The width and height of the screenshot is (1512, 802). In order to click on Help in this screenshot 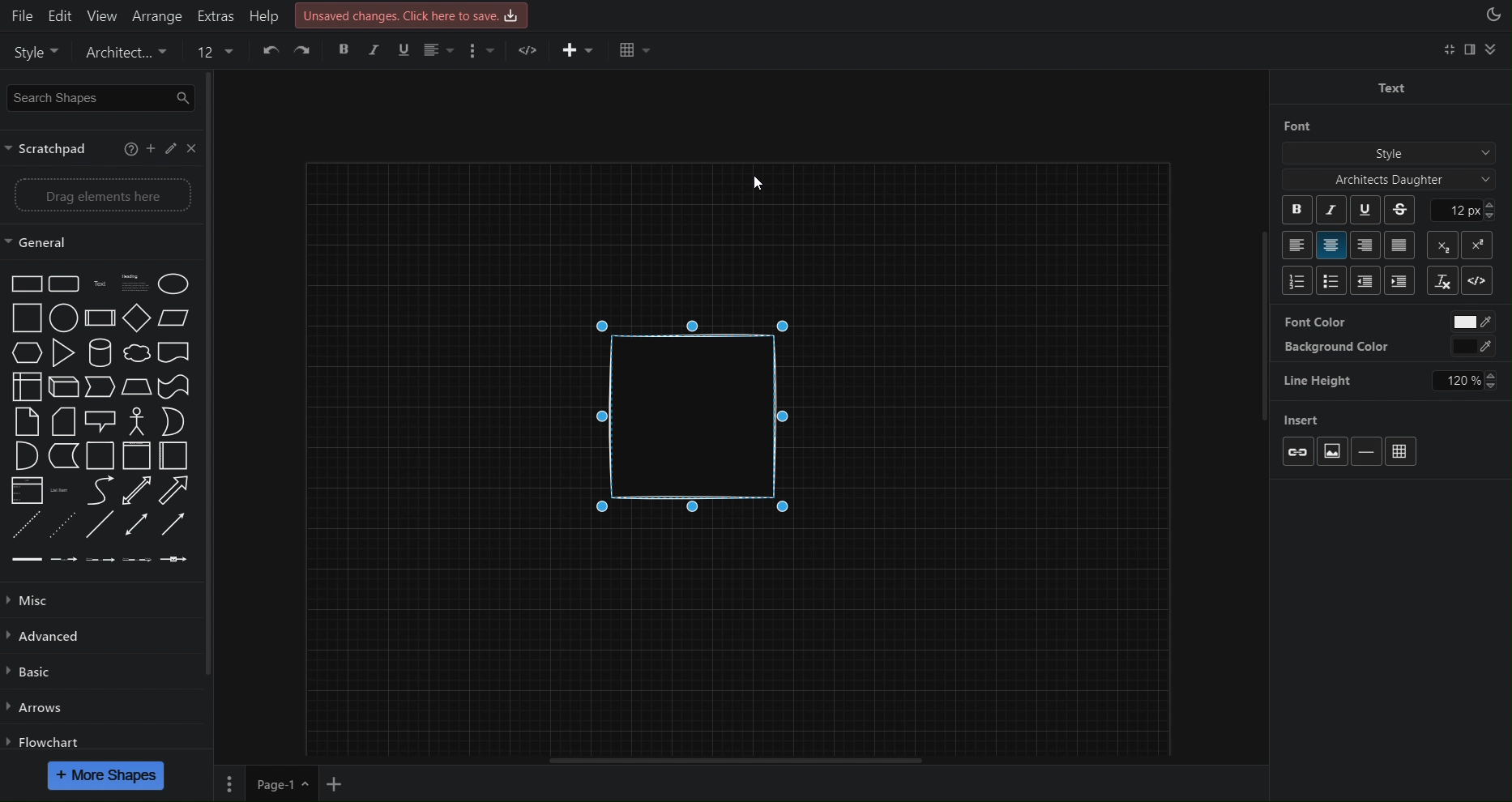, I will do `click(263, 13)`.